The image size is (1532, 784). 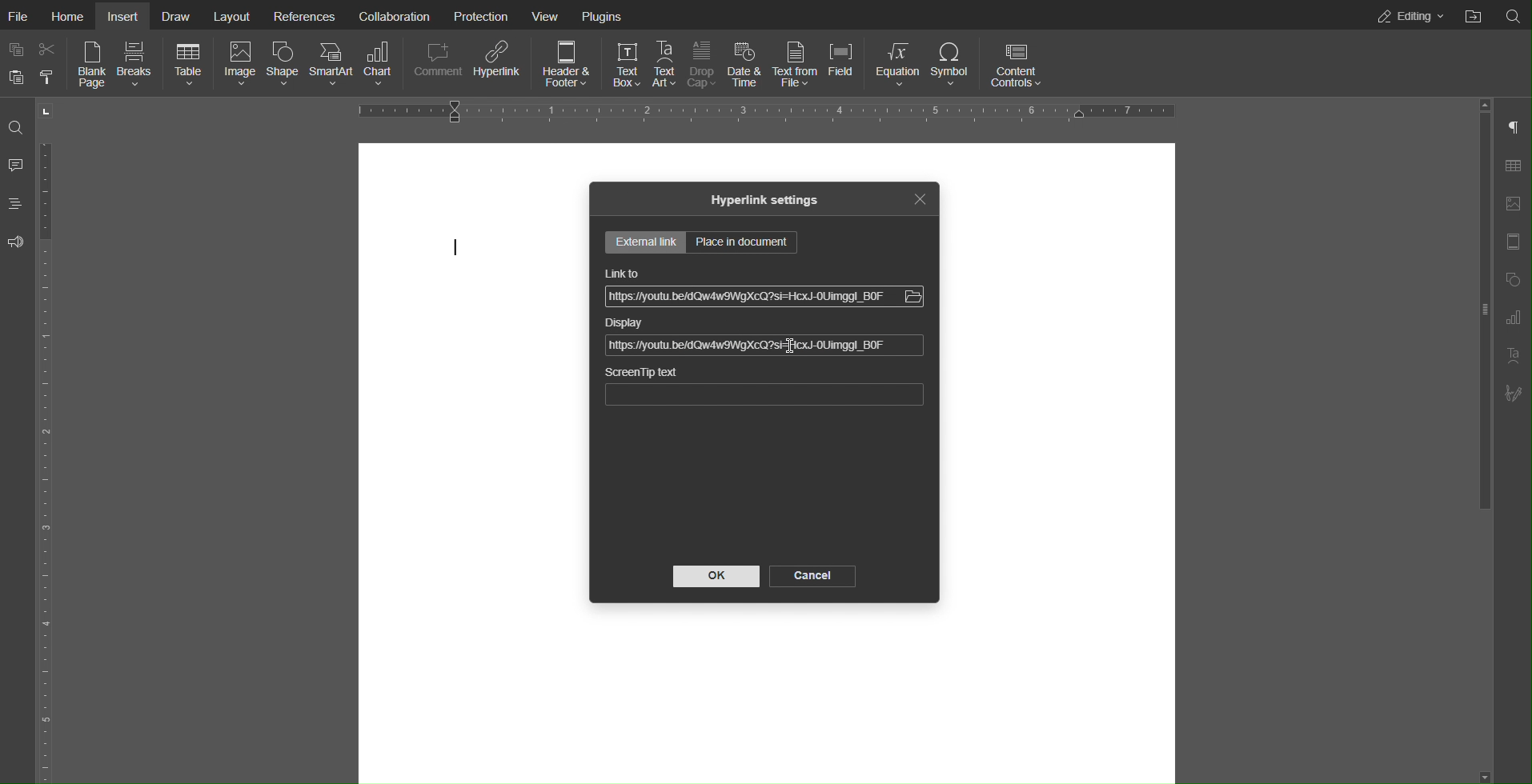 I want to click on Text Box, so click(x=628, y=65).